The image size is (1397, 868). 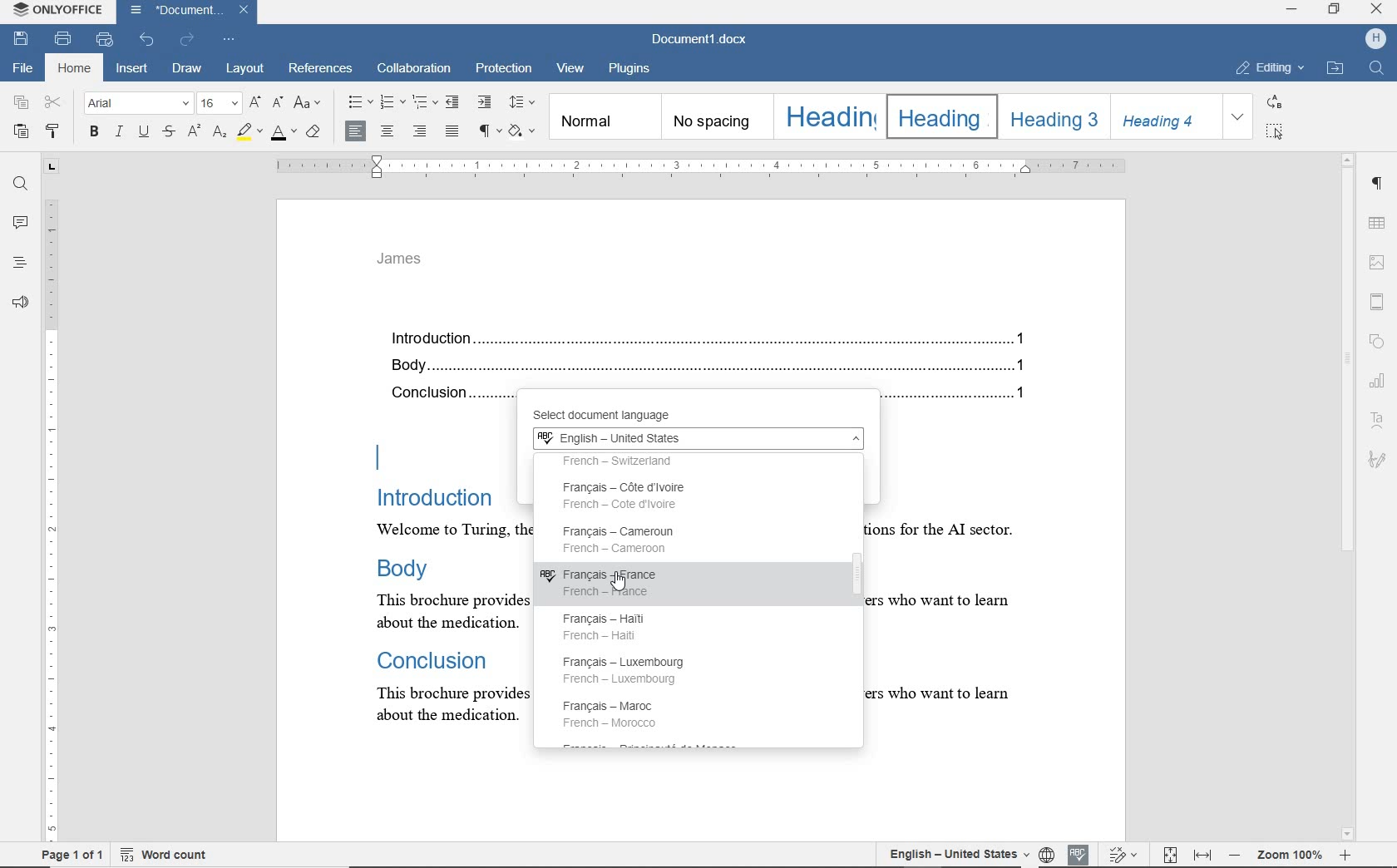 I want to click on comments, so click(x=19, y=223).